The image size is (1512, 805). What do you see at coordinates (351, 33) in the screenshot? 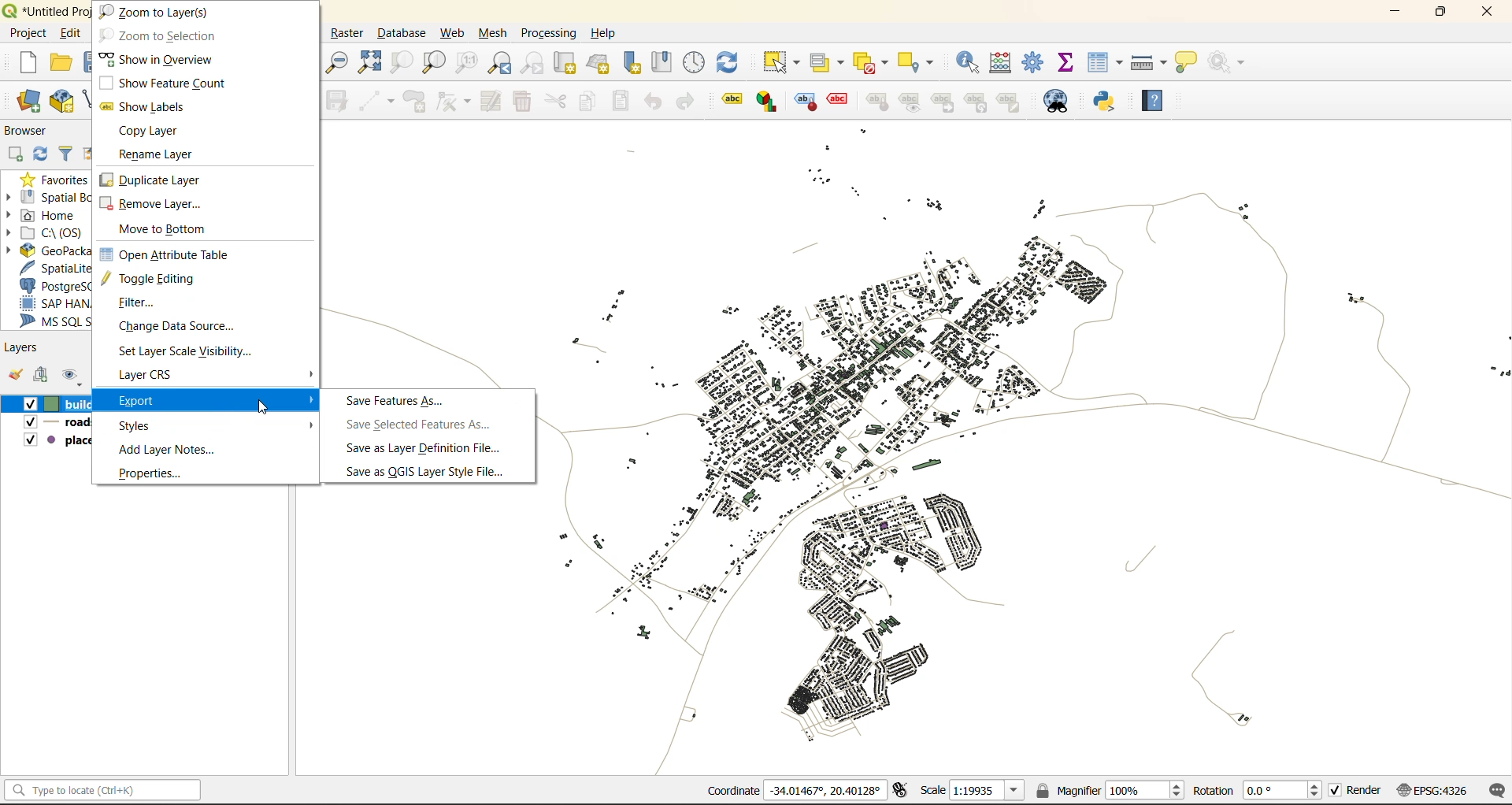
I see `raster` at bounding box center [351, 33].